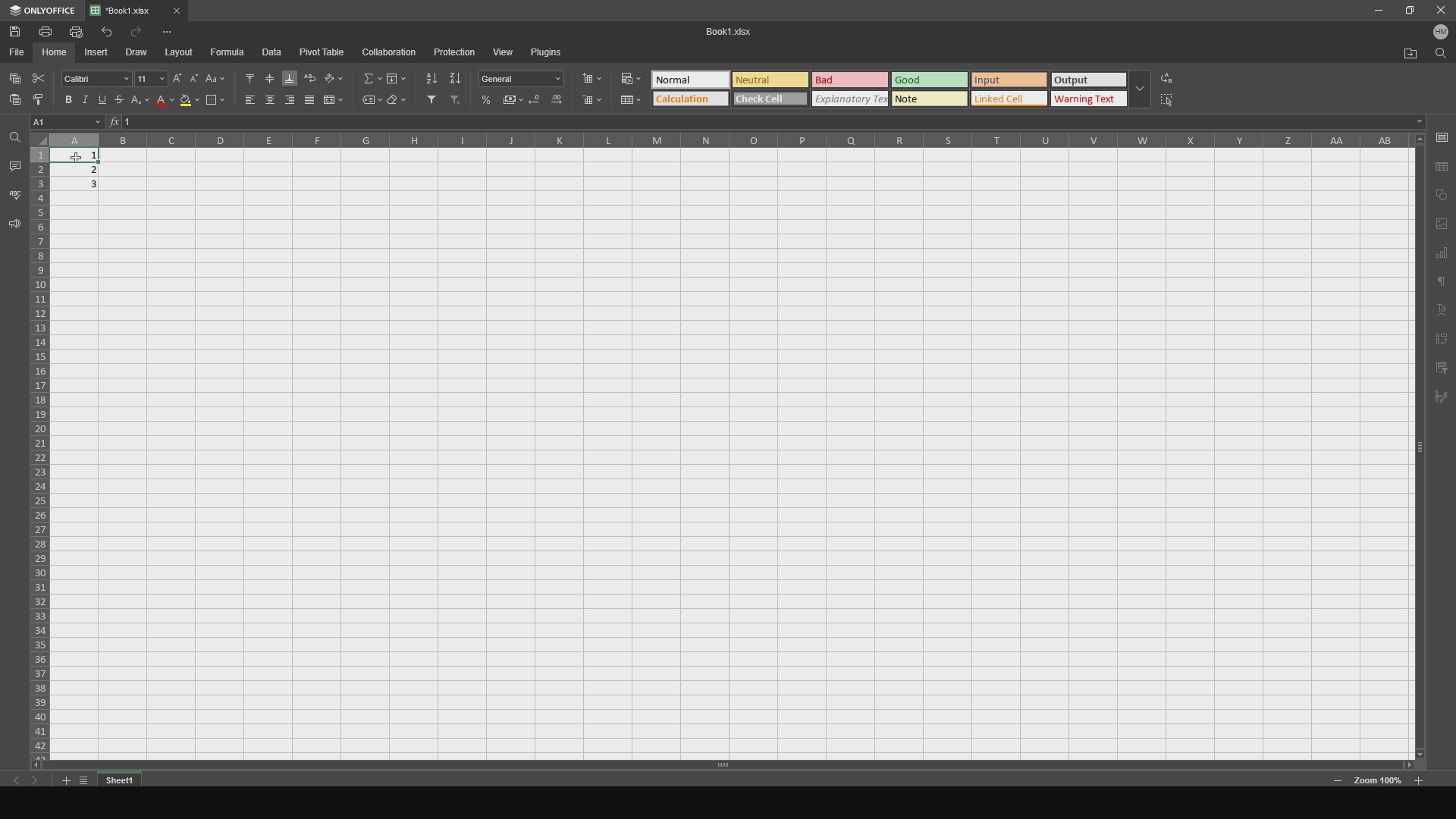 The width and height of the screenshot is (1456, 819). I want to click on zoom, so click(1379, 783).